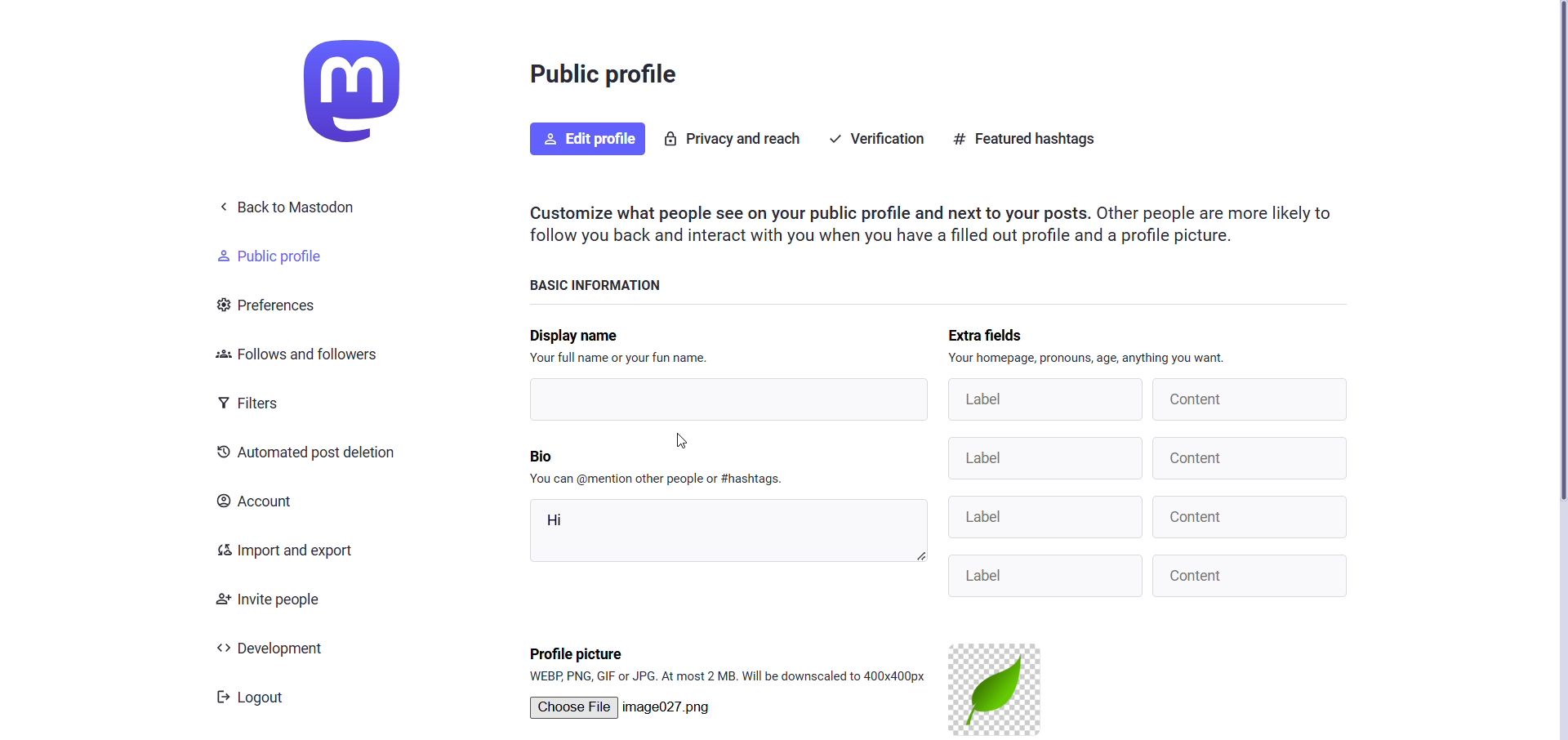  Describe the element at coordinates (927, 223) in the screenshot. I see `instruction` at that location.